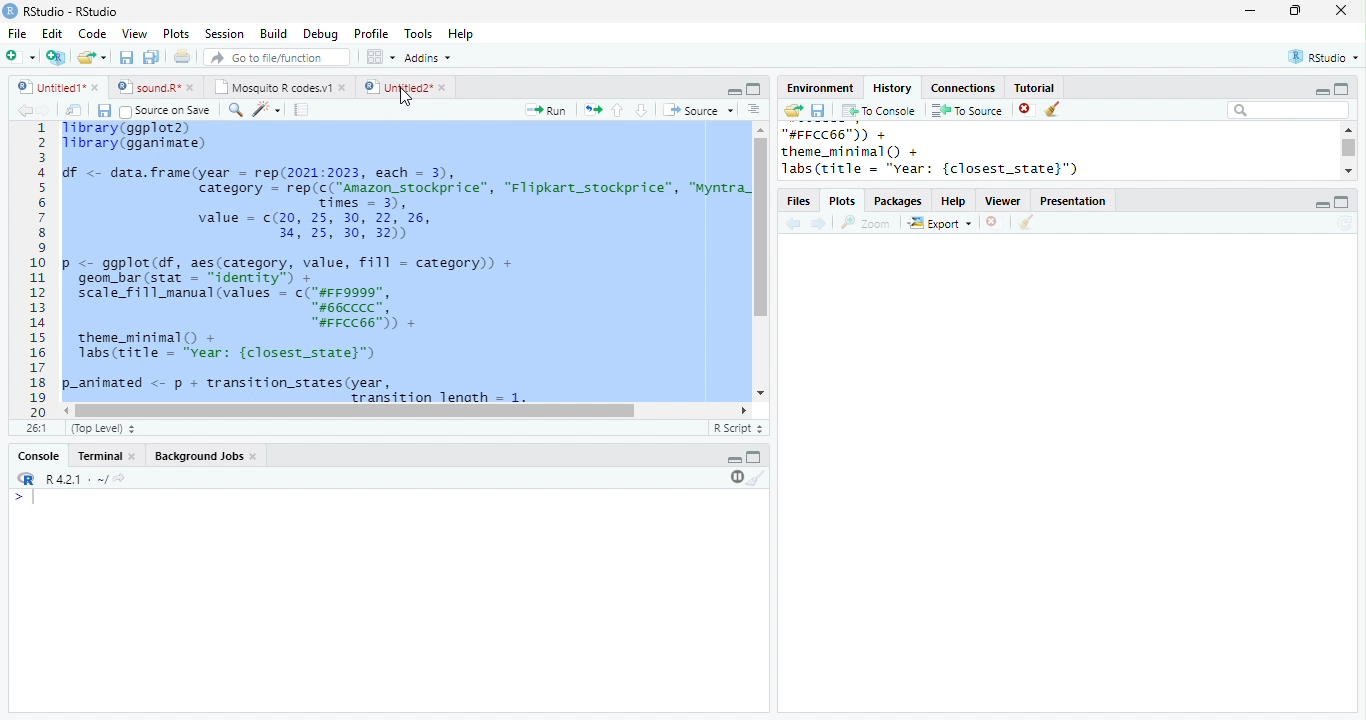  I want to click on up, so click(618, 111).